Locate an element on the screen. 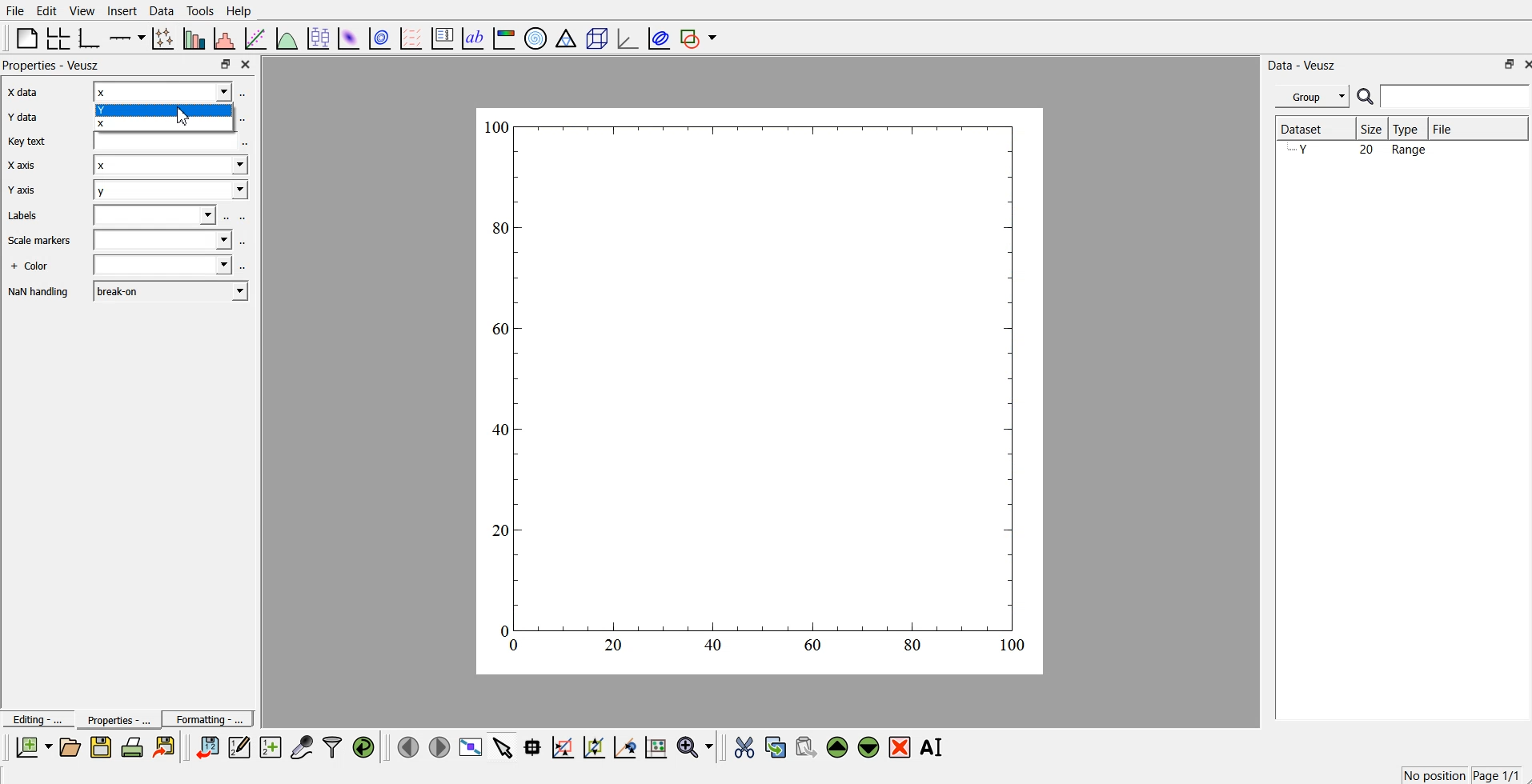  plot key is located at coordinates (443, 37).